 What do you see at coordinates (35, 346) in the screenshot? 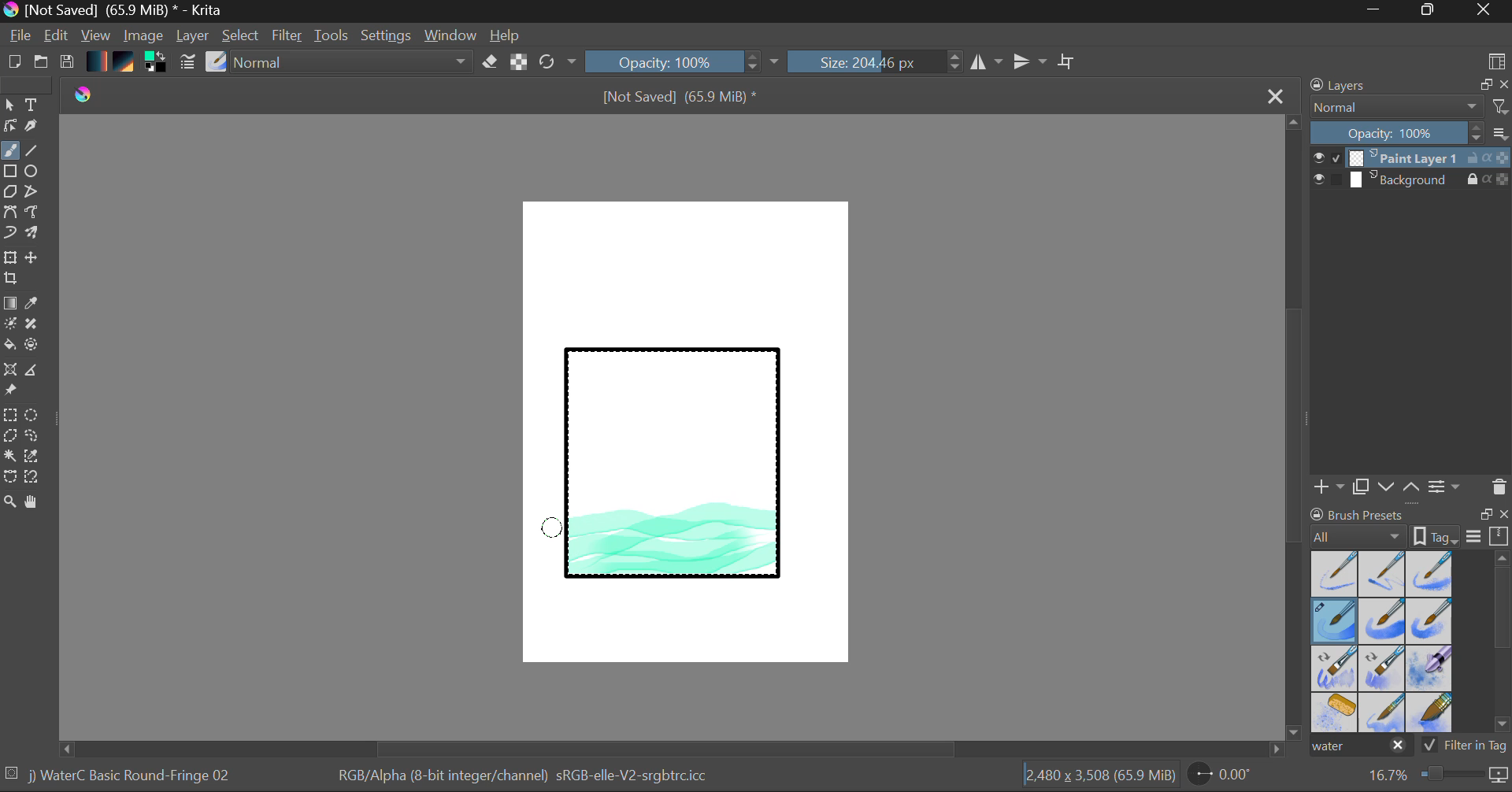
I see `Enclose and Fill` at bounding box center [35, 346].